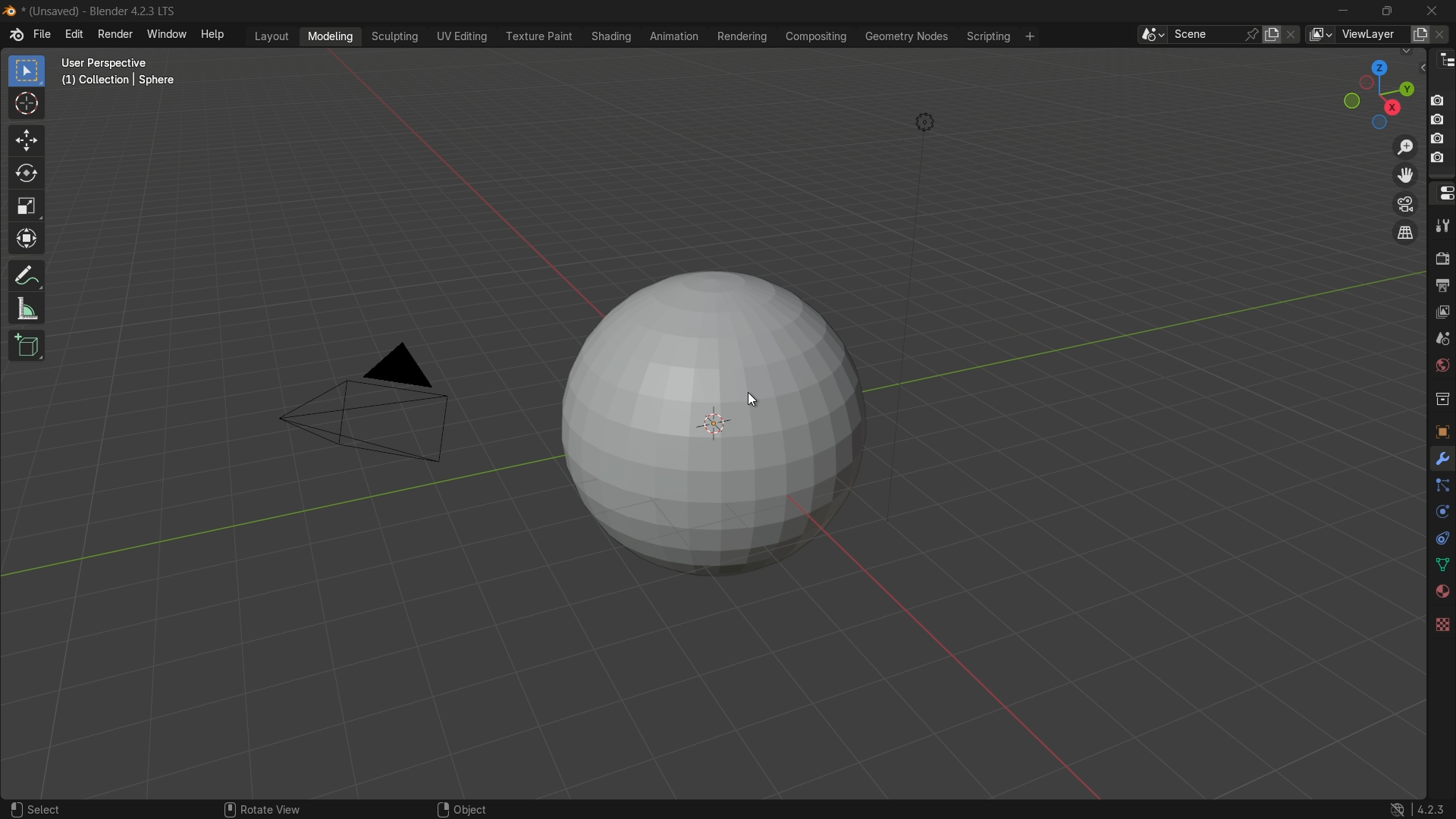  Describe the element at coordinates (1442, 286) in the screenshot. I see `output` at that location.